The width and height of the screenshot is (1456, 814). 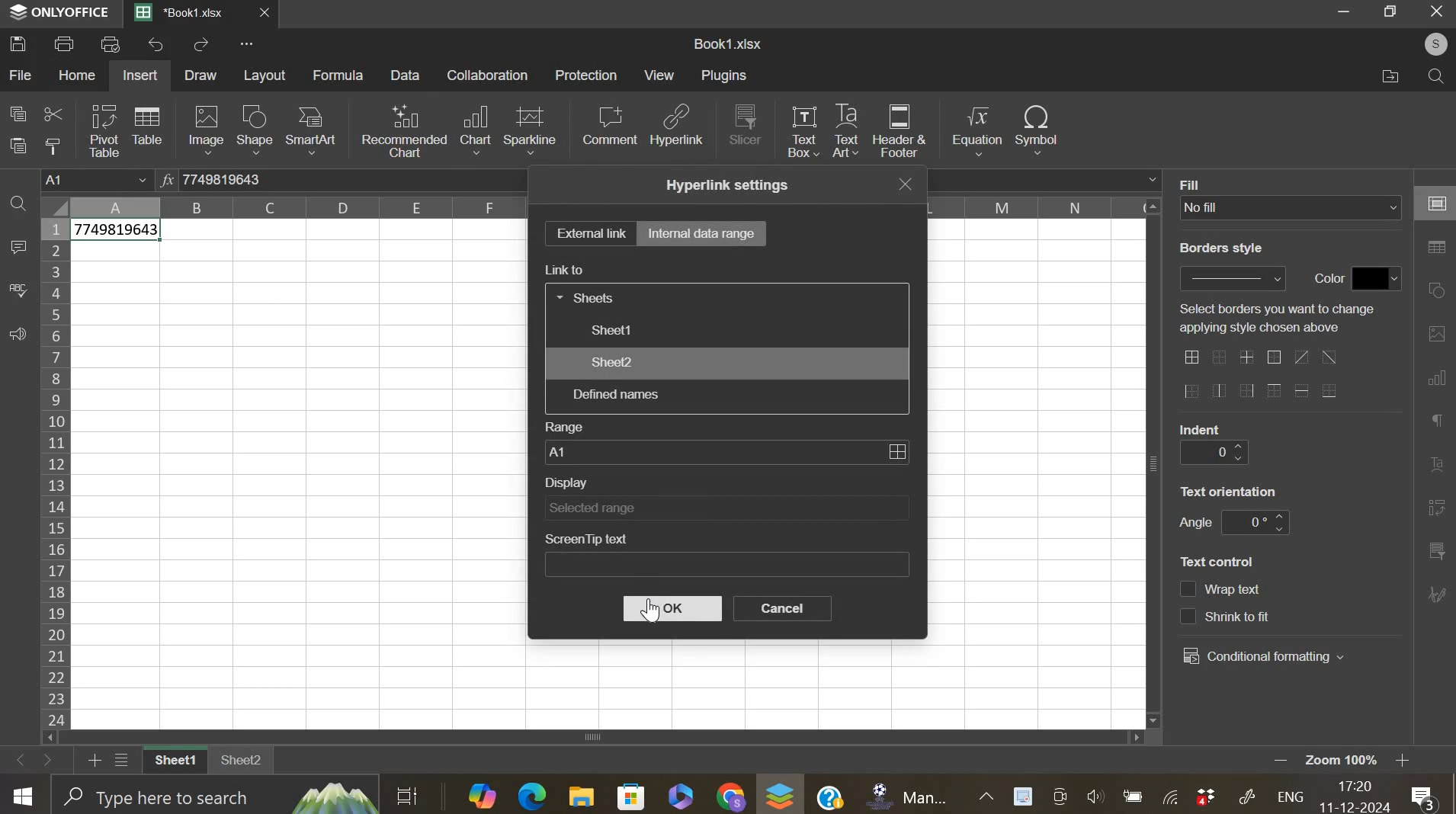 I want to click on comment, so click(x=18, y=248).